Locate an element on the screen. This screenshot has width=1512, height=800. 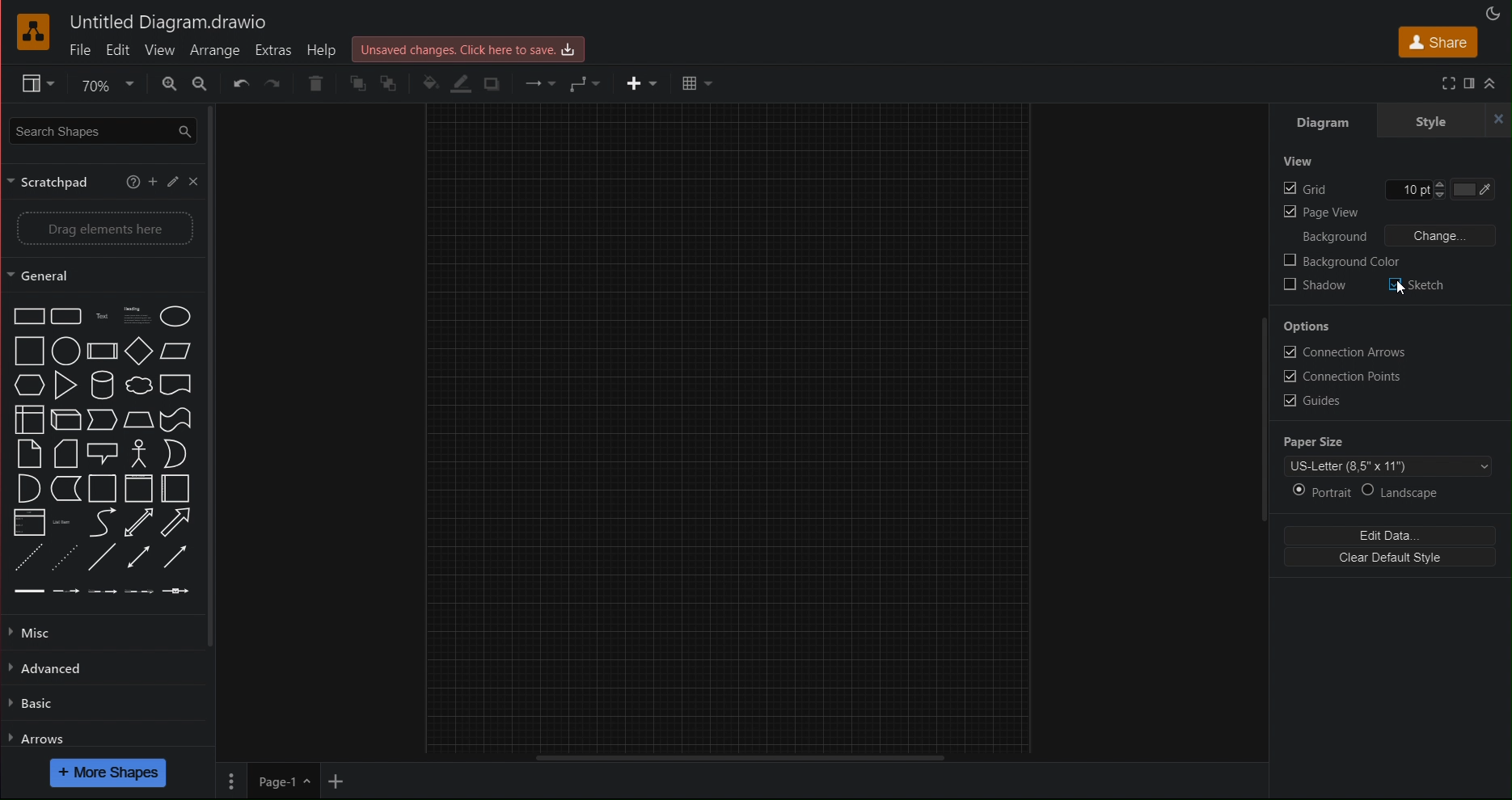
Basic is located at coordinates (95, 701).